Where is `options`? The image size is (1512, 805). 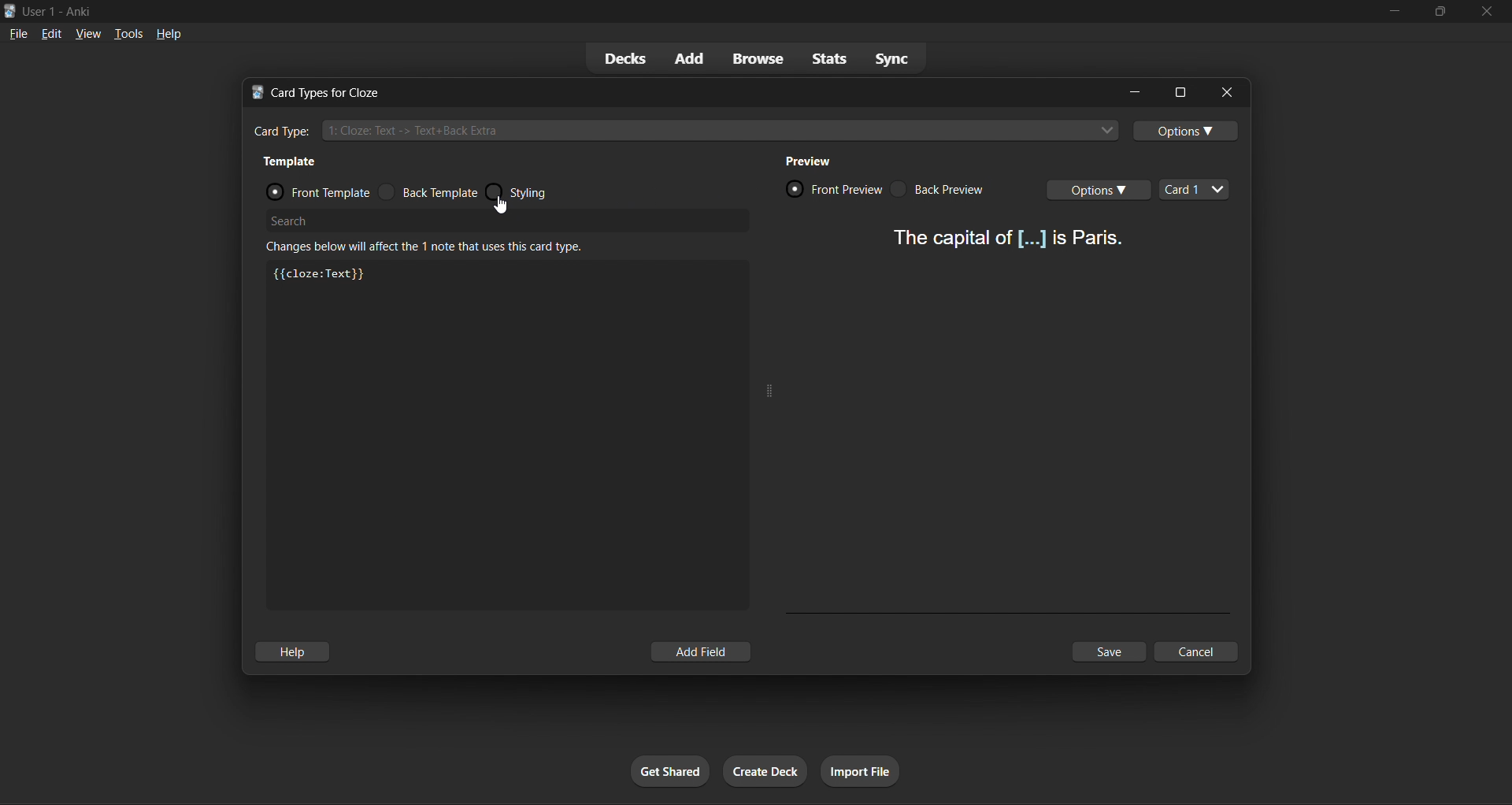 options is located at coordinates (1178, 91).